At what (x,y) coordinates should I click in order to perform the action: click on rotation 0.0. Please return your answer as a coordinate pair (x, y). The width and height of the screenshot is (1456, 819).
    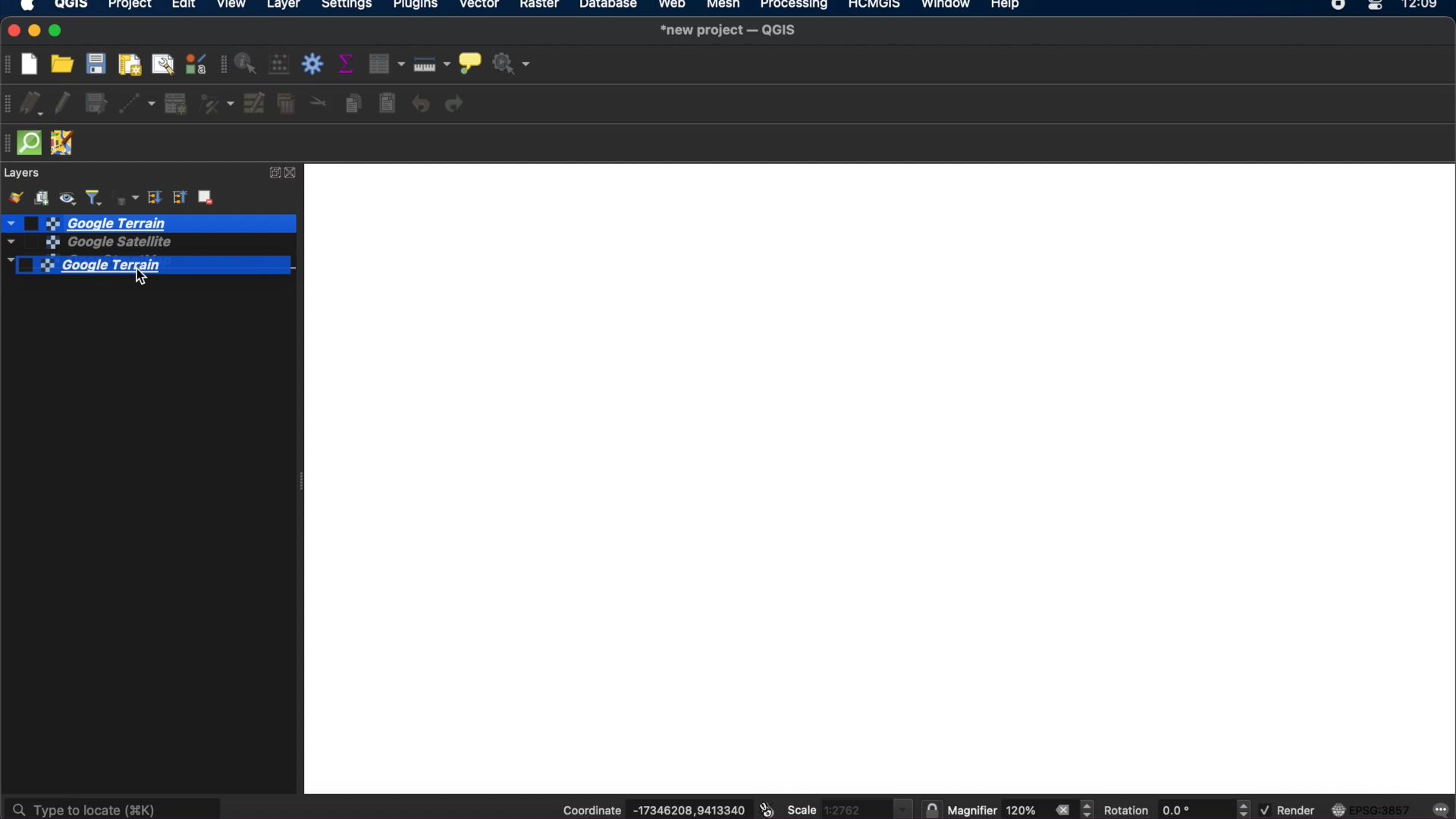
    Looking at the image, I should click on (1156, 810).